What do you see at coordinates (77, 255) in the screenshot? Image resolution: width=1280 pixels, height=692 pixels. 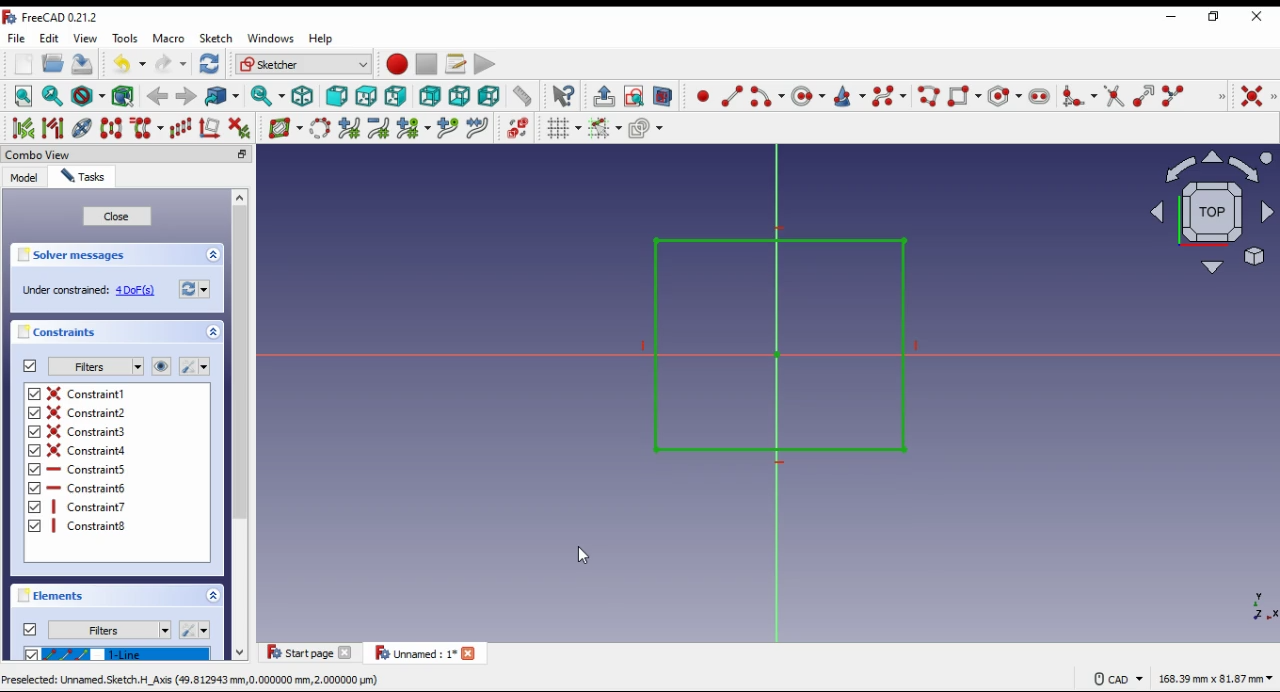 I see `solver messages` at bounding box center [77, 255].